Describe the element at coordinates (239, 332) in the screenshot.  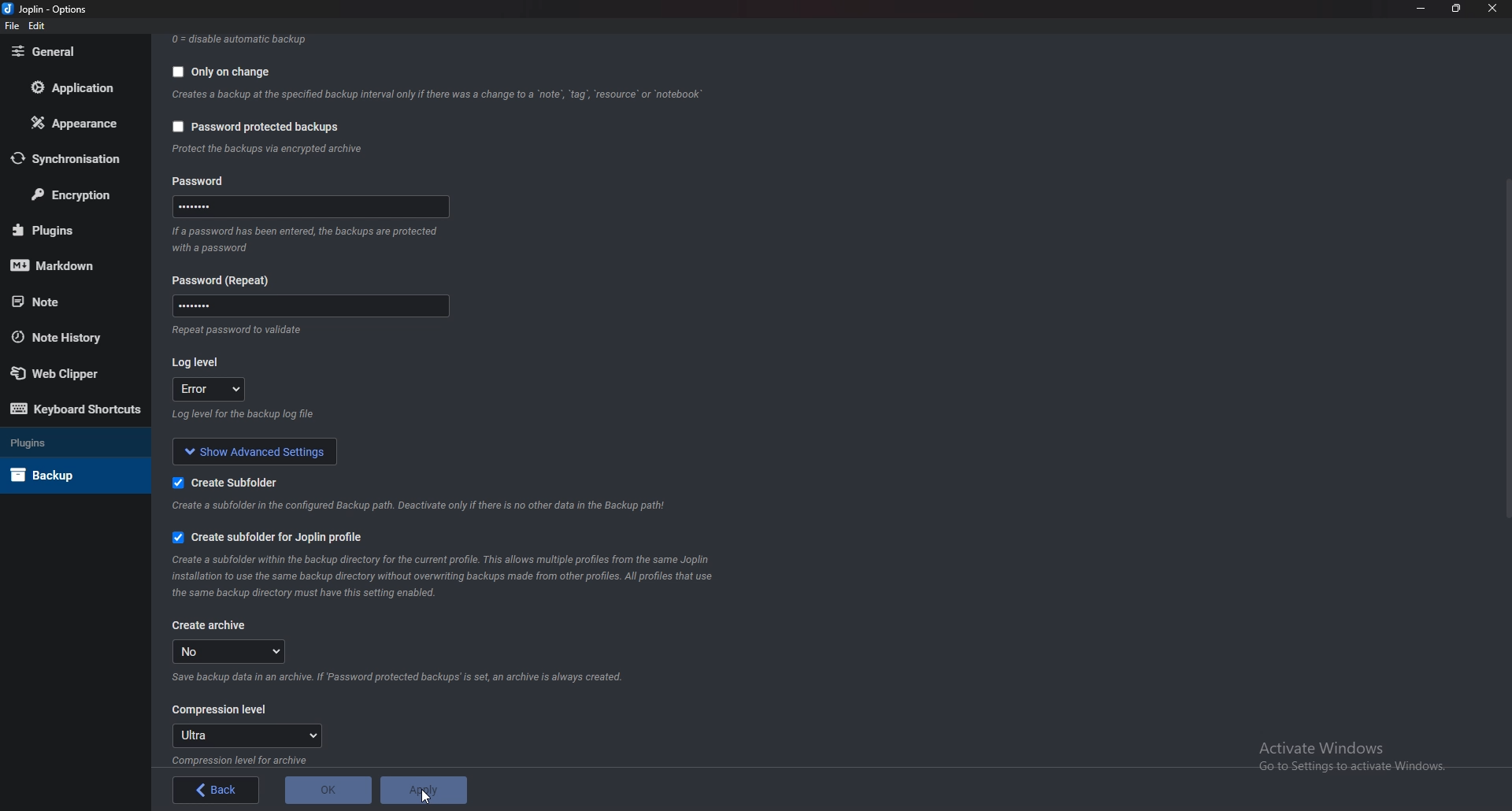
I see `Info` at that location.